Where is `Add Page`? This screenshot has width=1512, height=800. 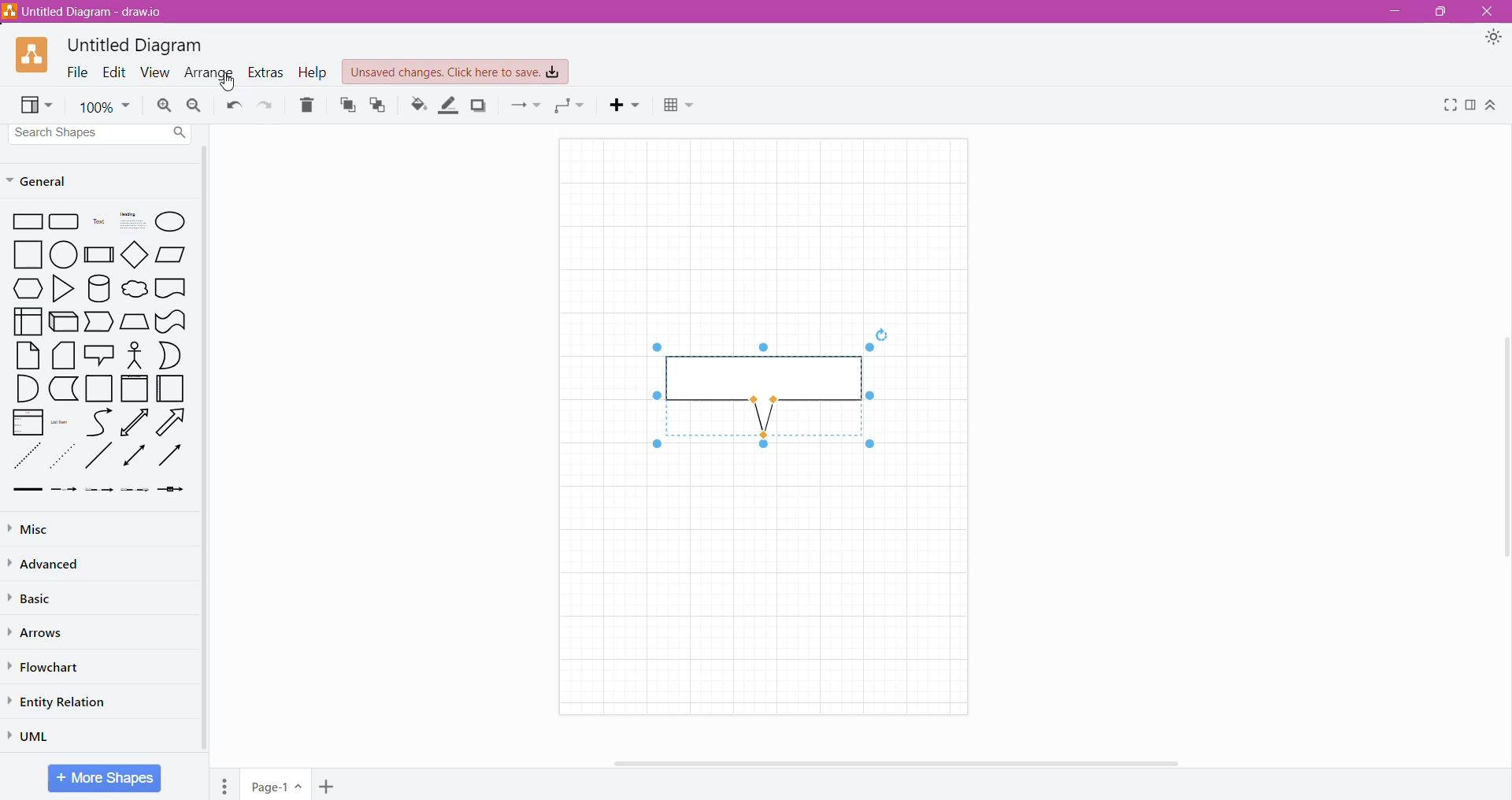 Add Page is located at coordinates (326, 786).